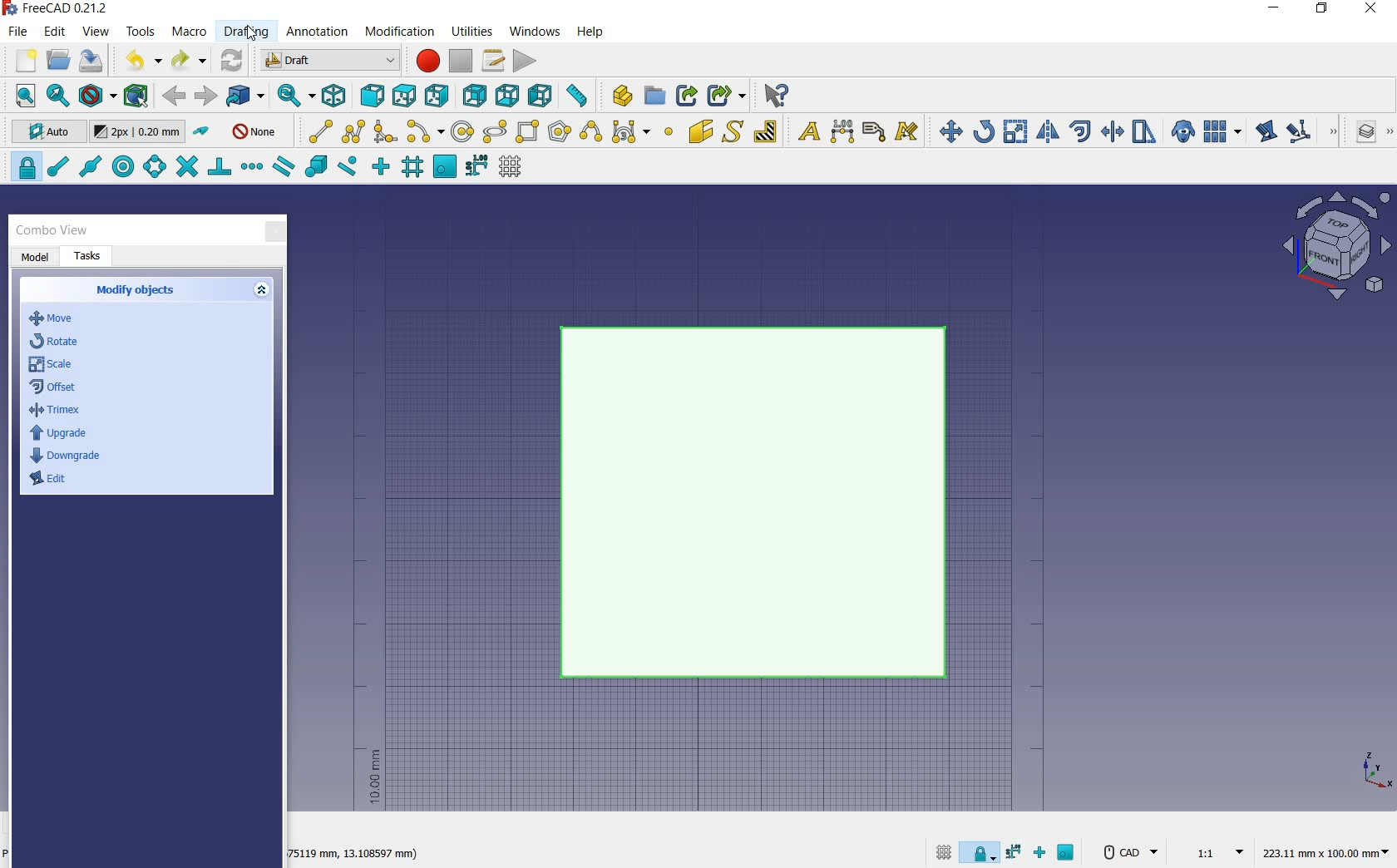  What do you see at coordinates (1145, 133) in the screenshot?
I see `stretch` at bounding box center [1145, 133].